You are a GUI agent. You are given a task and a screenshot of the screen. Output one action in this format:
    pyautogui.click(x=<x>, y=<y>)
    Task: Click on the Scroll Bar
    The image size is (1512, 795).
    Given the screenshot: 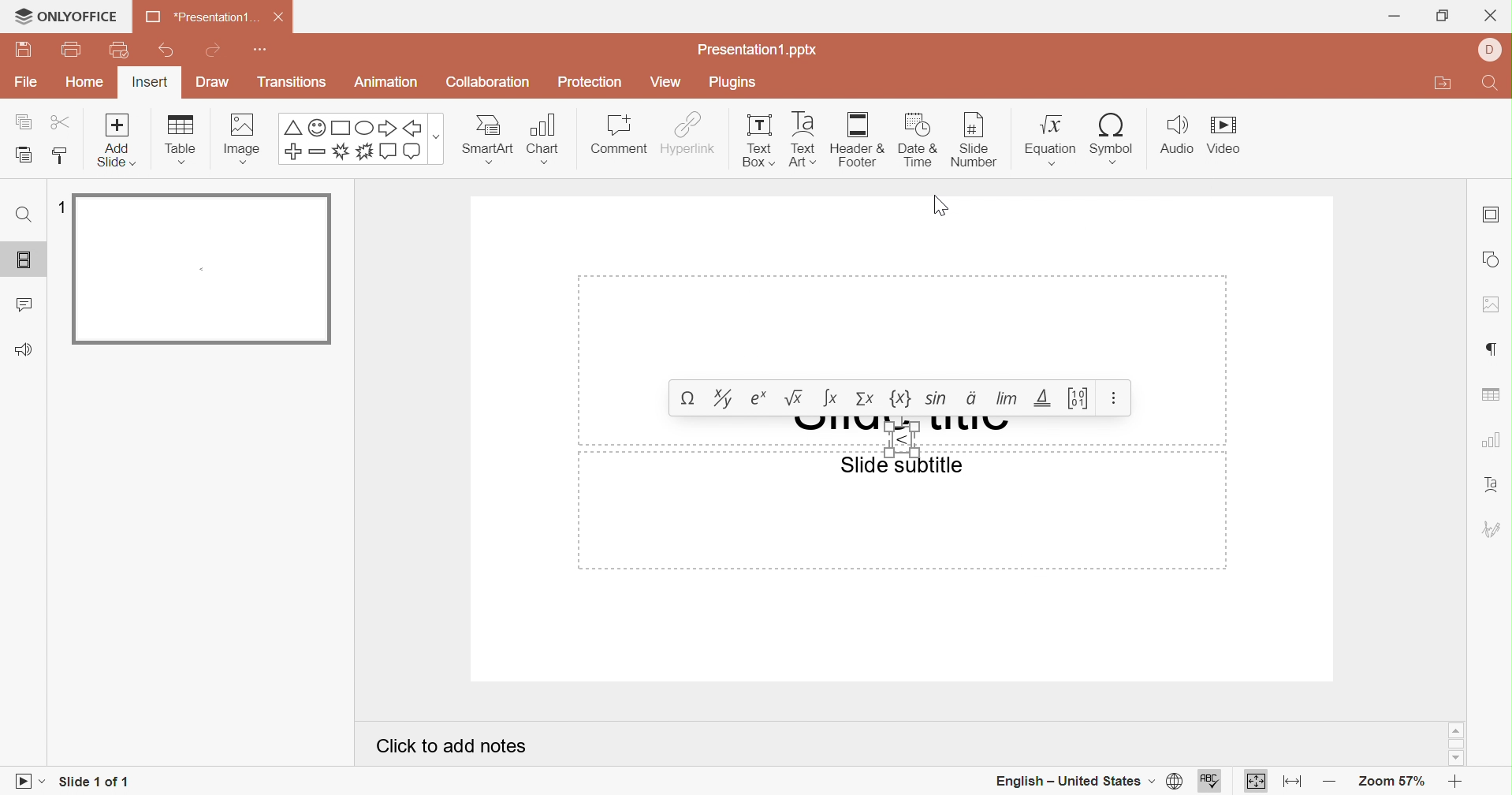 What is the action you would take?
    pyautogui.click(x=1456, y=746)
    